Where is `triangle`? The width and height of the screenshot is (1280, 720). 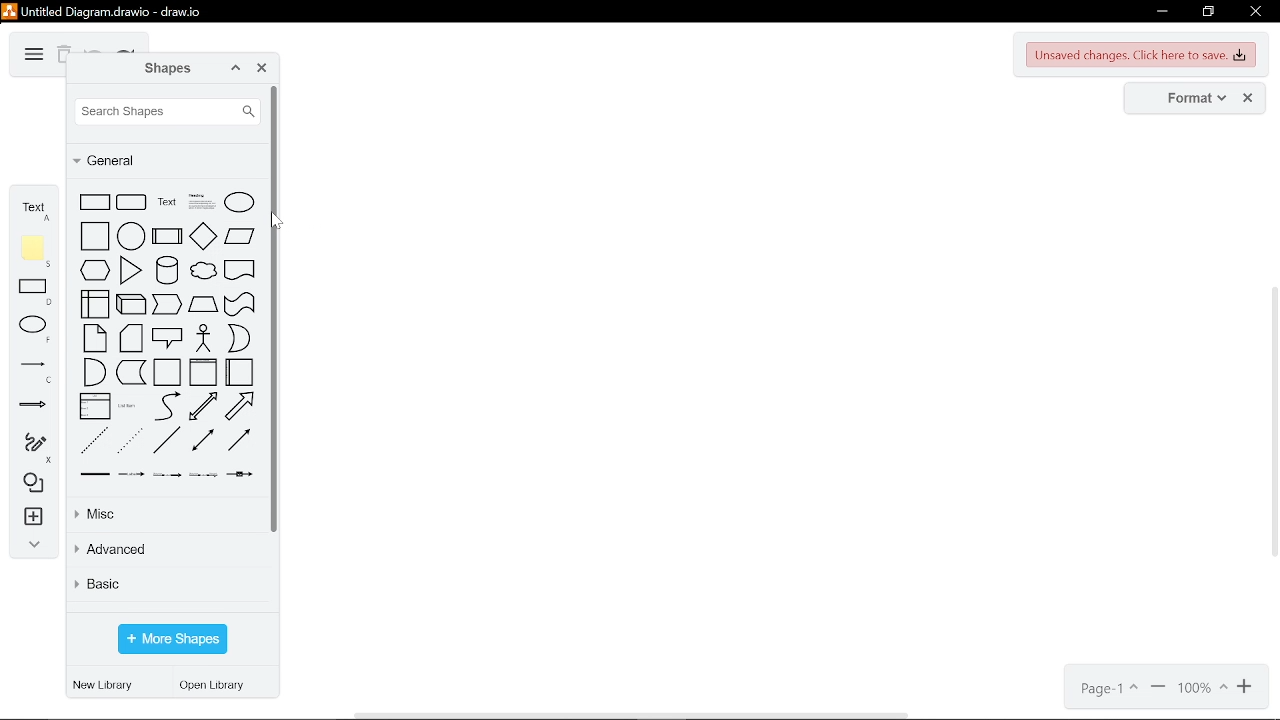 triangle is located at coordinates (131, 271).